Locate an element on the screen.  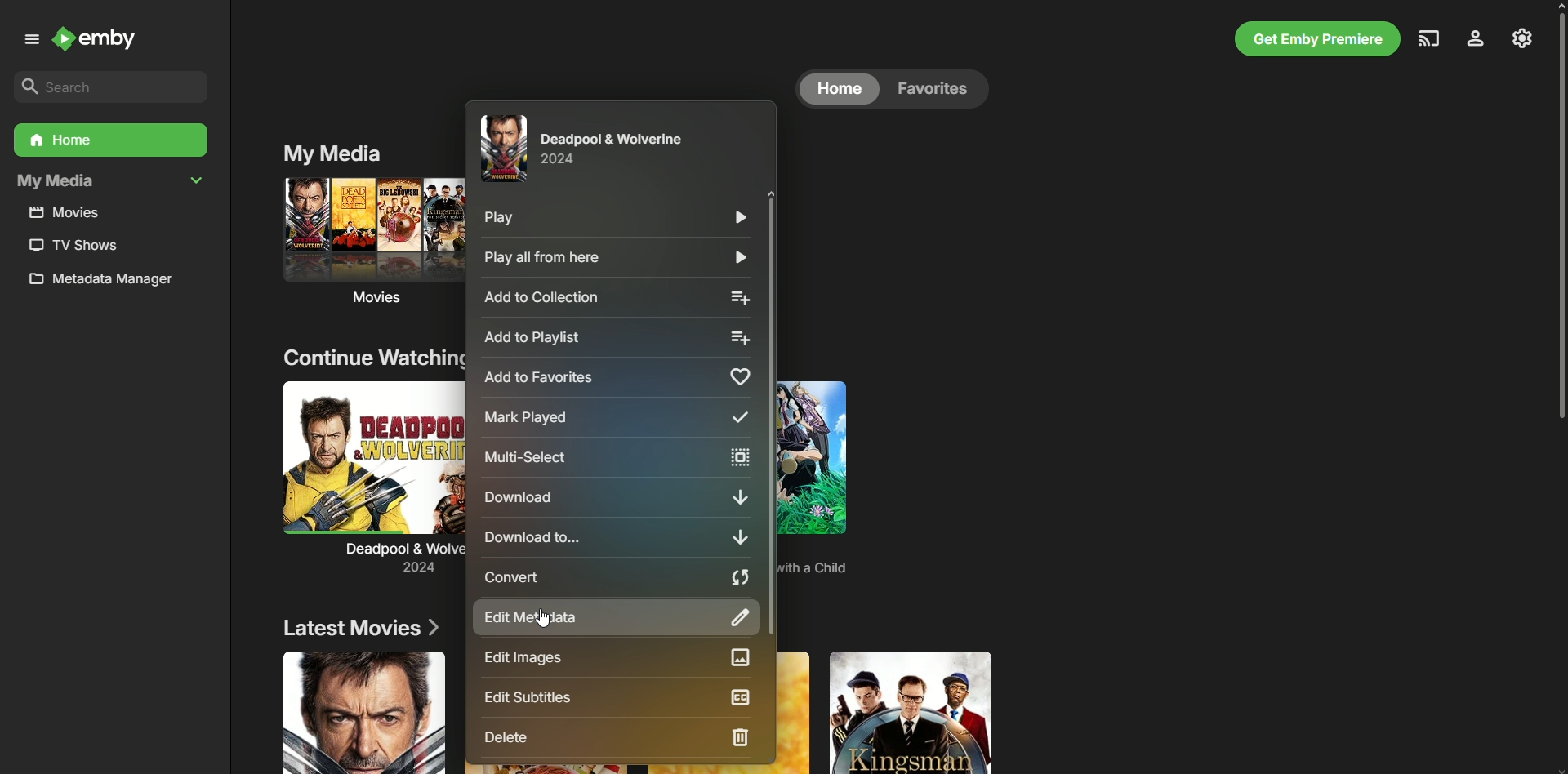
Menu is located at coordinates (28, 39).